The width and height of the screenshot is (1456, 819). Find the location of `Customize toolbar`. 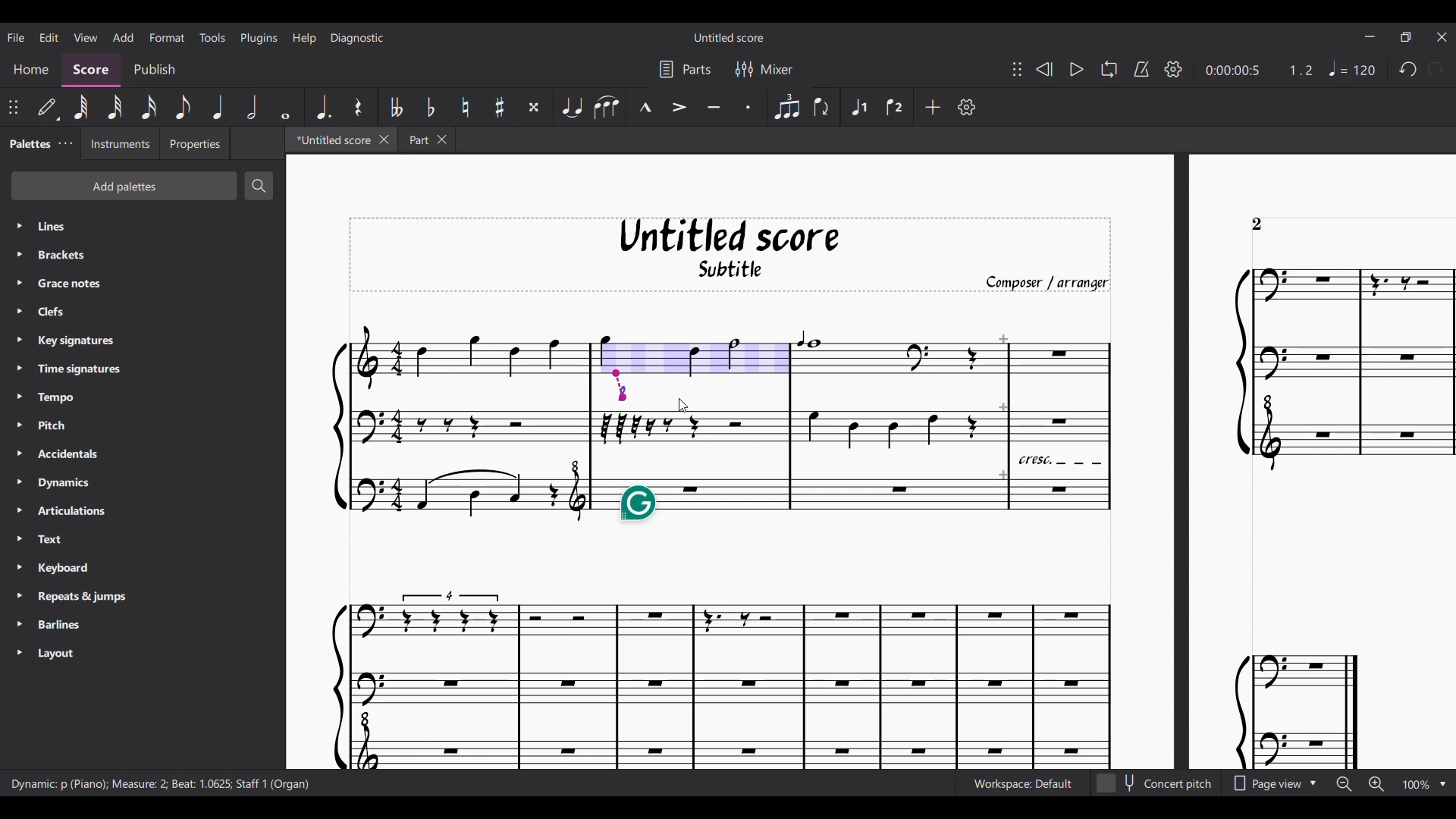

Customize toolbar is located at coordinates (967, 107).